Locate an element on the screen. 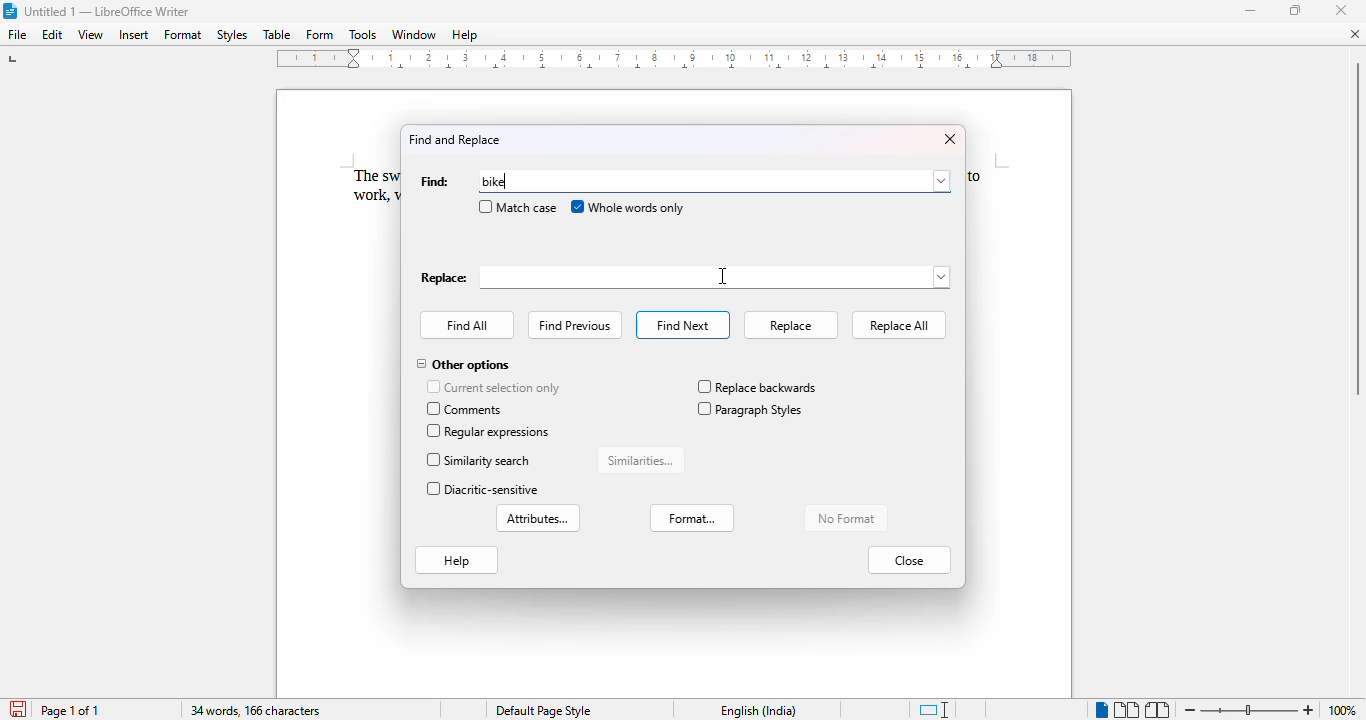 The height and width of the screenshot is (720, 1366). find all is located at coordinates (468, 325).